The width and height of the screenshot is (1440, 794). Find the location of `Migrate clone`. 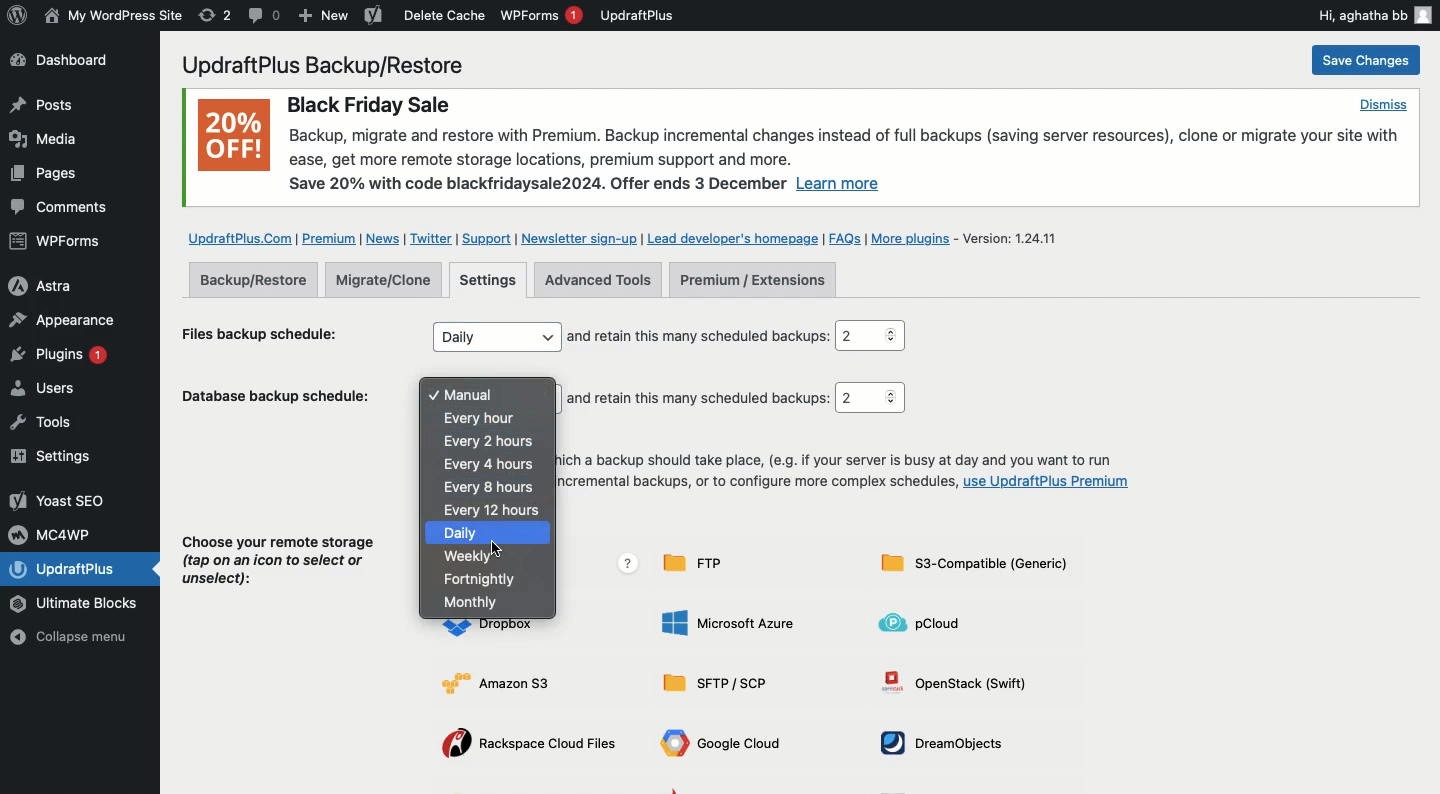

Migrate clone is located at coordinates (389, 281).